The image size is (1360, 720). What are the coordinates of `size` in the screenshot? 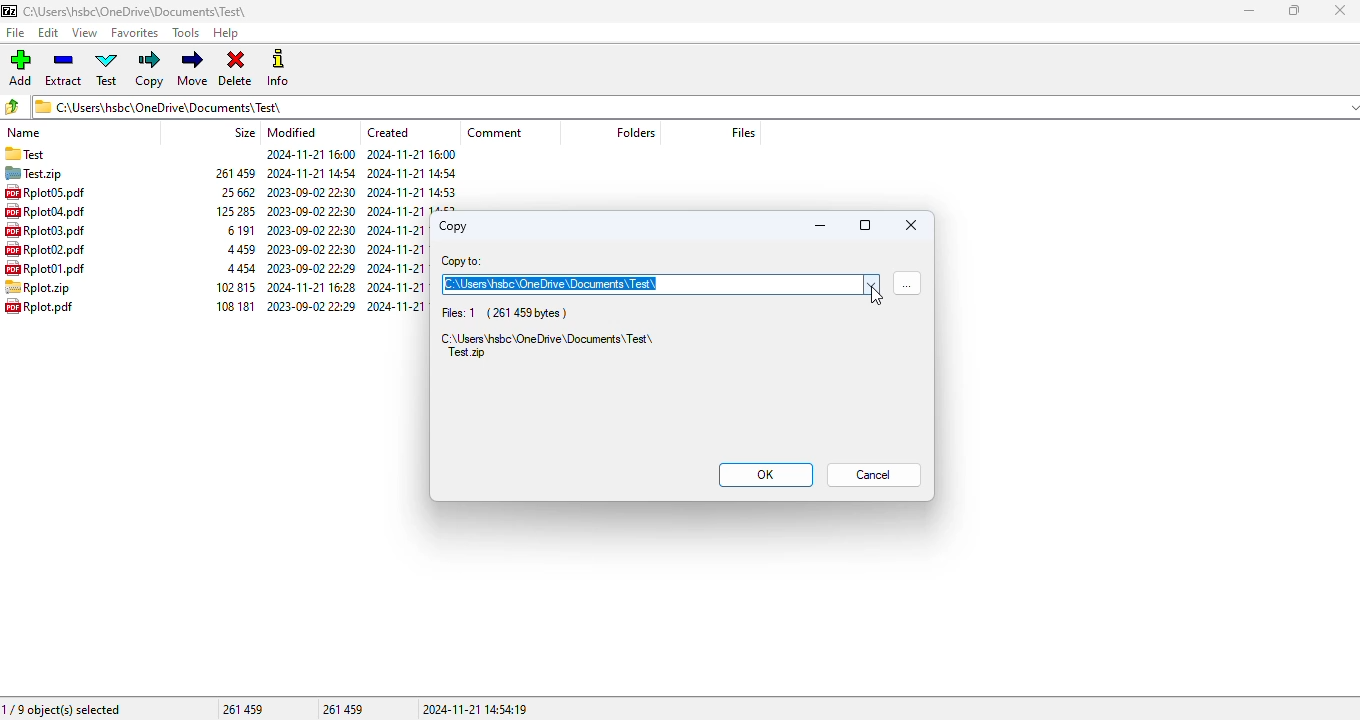 It's located at (234, 305).